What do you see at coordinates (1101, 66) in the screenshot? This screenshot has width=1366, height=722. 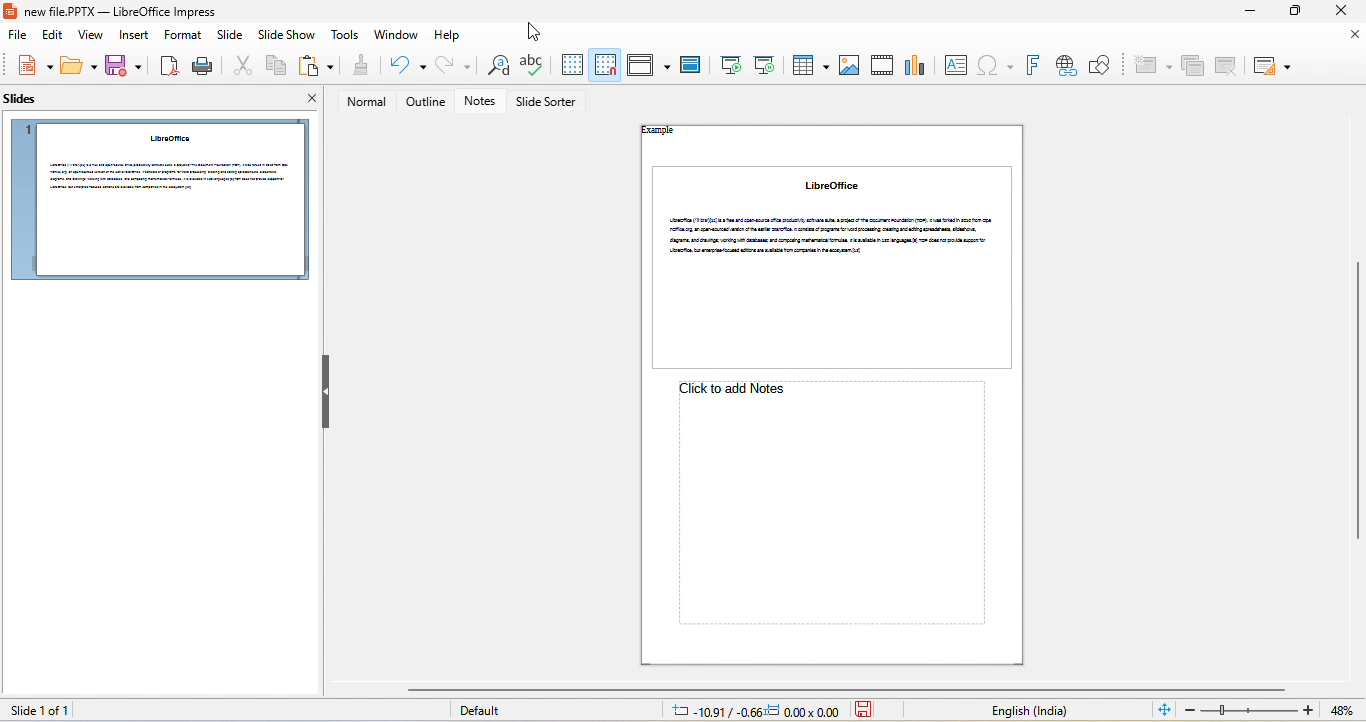 I see `how draw function` at bounding box center [1101, 66].